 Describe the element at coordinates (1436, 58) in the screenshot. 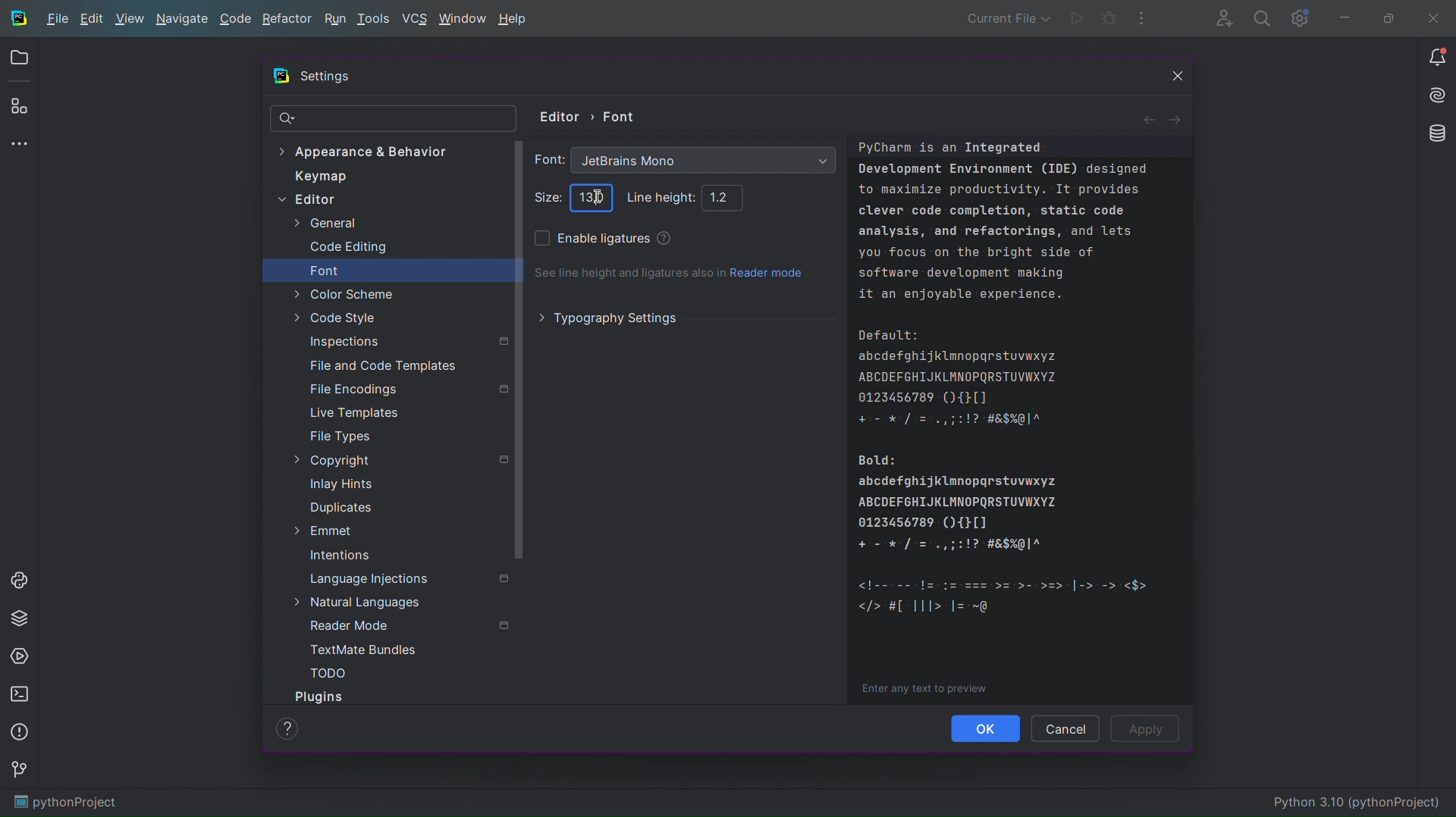

I see `Notifications` at that location.